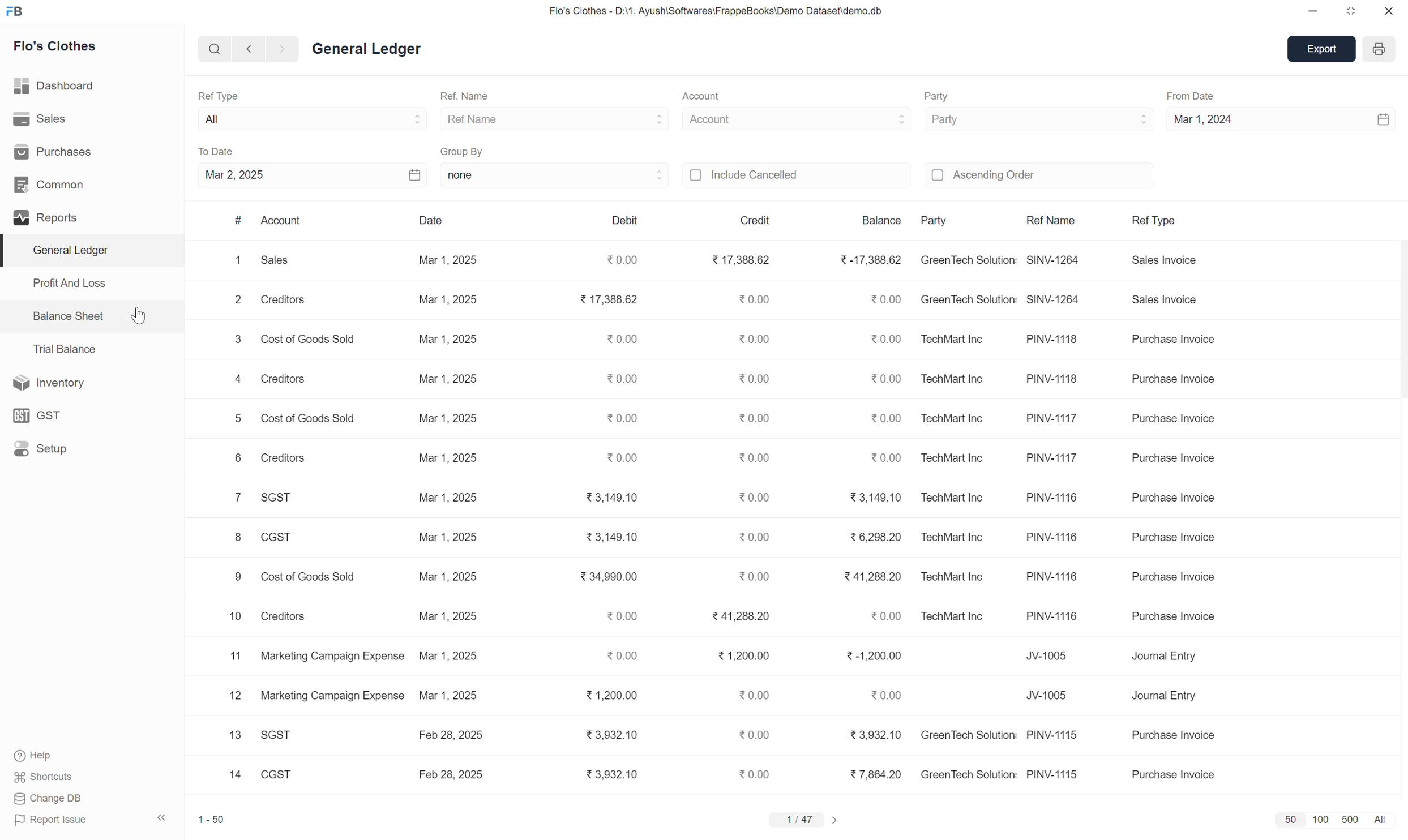  Describe the element at coordinates (1174, 535) in the screenshot. I see `purchase invoice` at that location.